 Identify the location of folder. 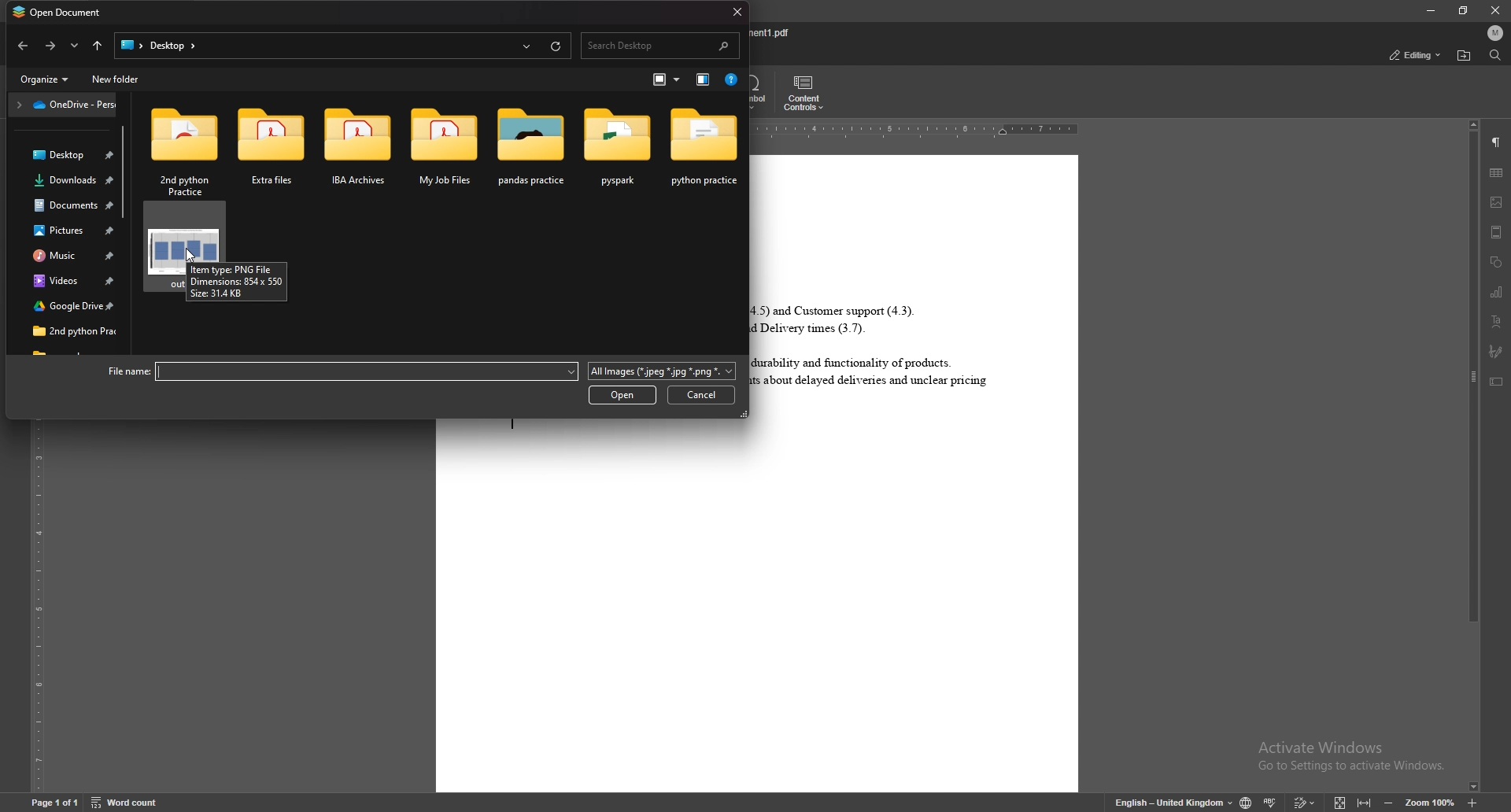
(528, 149).